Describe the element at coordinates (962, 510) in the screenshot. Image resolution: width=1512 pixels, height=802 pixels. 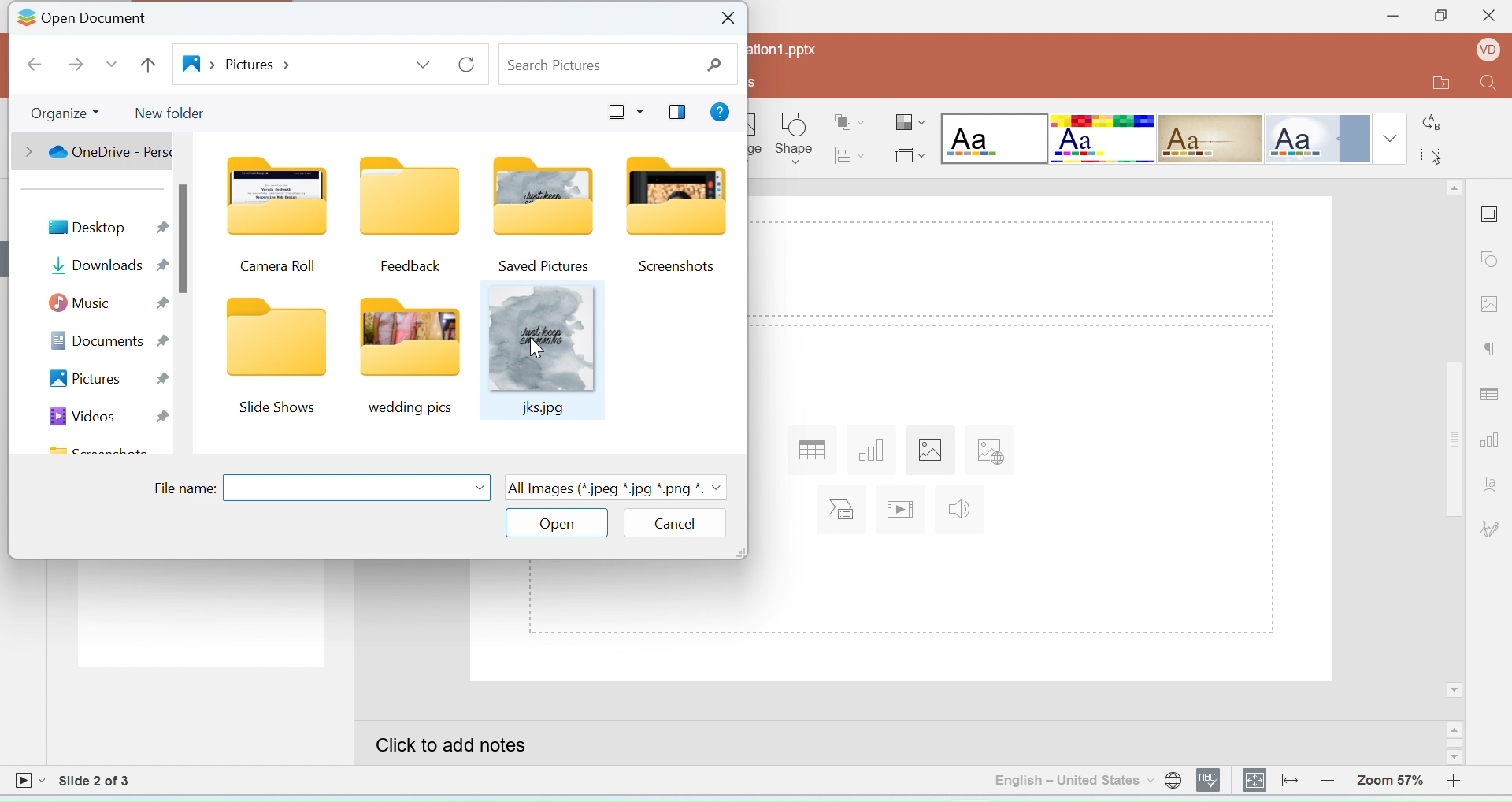
I see `insert audio` at that location.